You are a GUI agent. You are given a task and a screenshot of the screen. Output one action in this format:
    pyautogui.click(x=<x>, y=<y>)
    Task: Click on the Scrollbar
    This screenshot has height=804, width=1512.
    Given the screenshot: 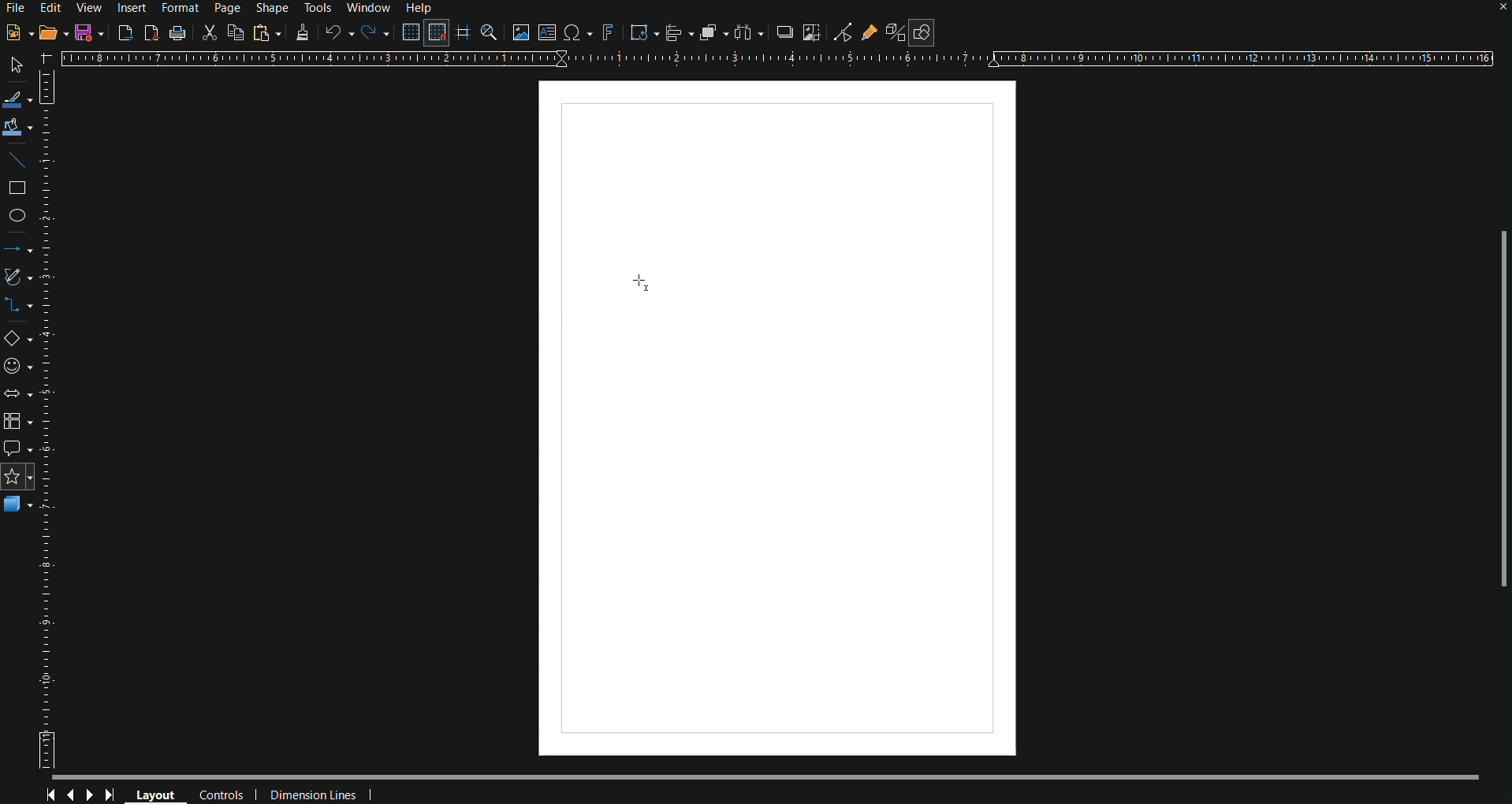 What is the action you would take?
    pyautogui.click(x=1494, y=400)
    